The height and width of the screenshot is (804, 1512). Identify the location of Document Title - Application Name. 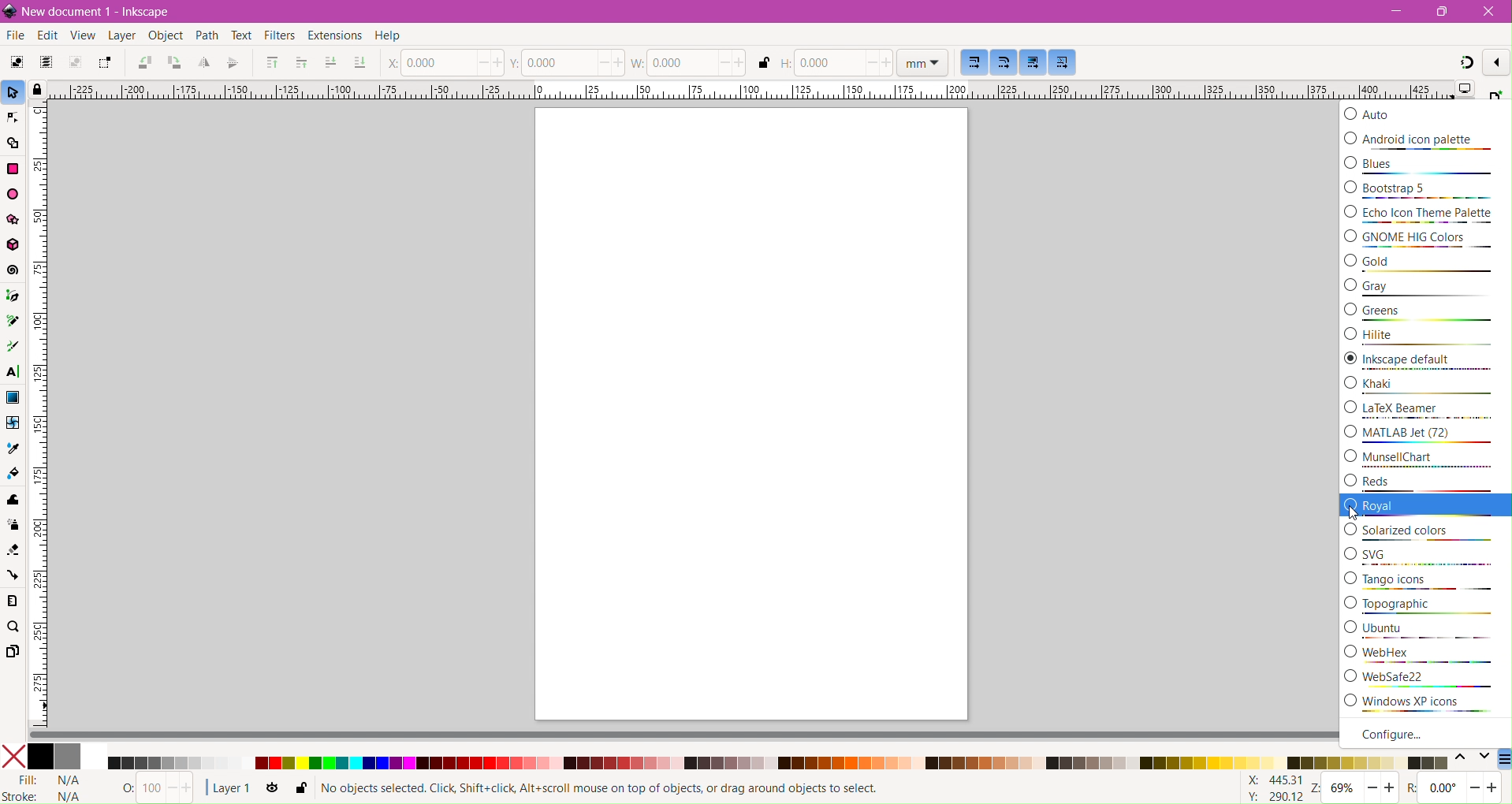
(101, 12).